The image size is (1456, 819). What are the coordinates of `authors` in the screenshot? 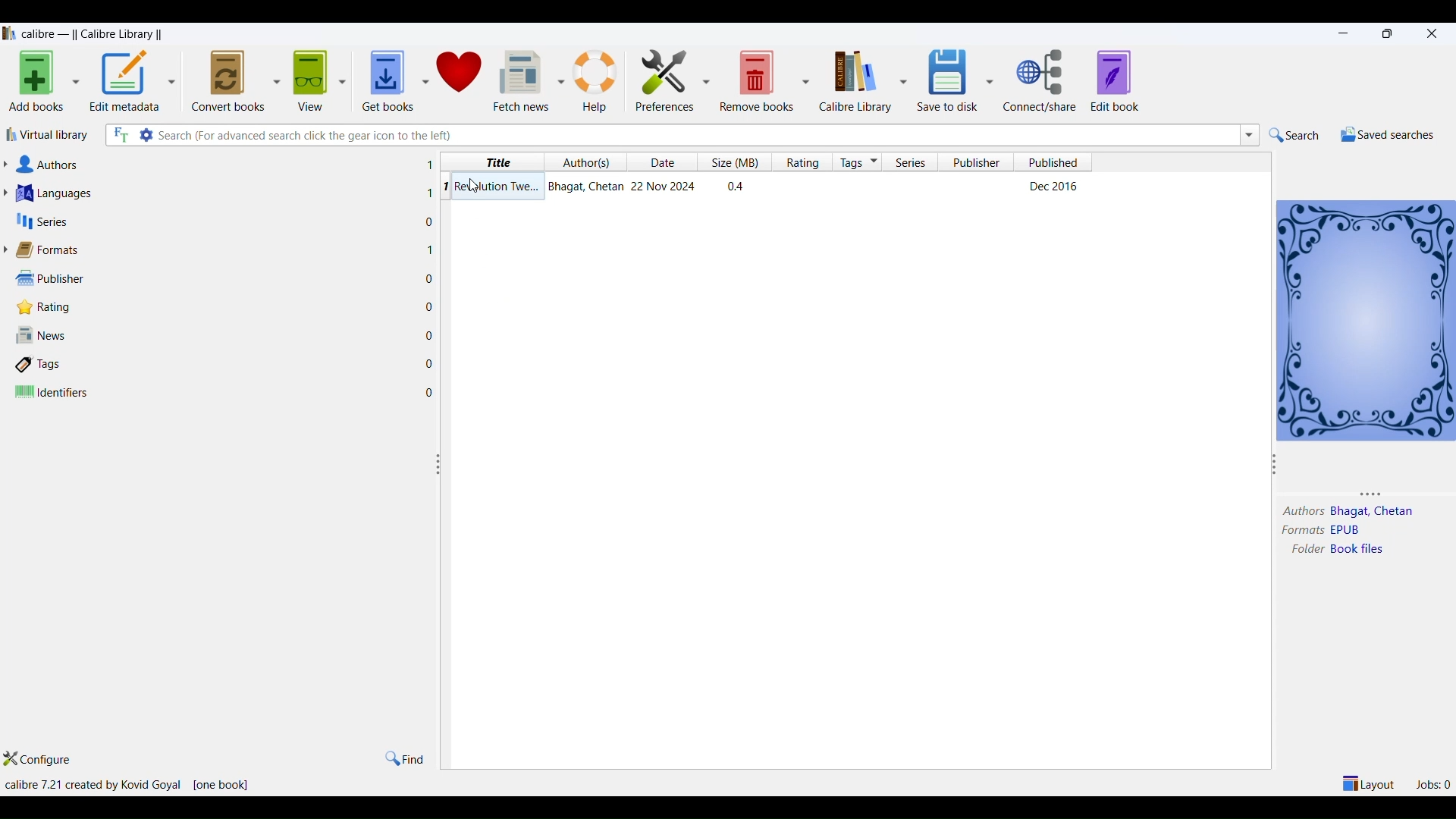 It's located at (588, 162).